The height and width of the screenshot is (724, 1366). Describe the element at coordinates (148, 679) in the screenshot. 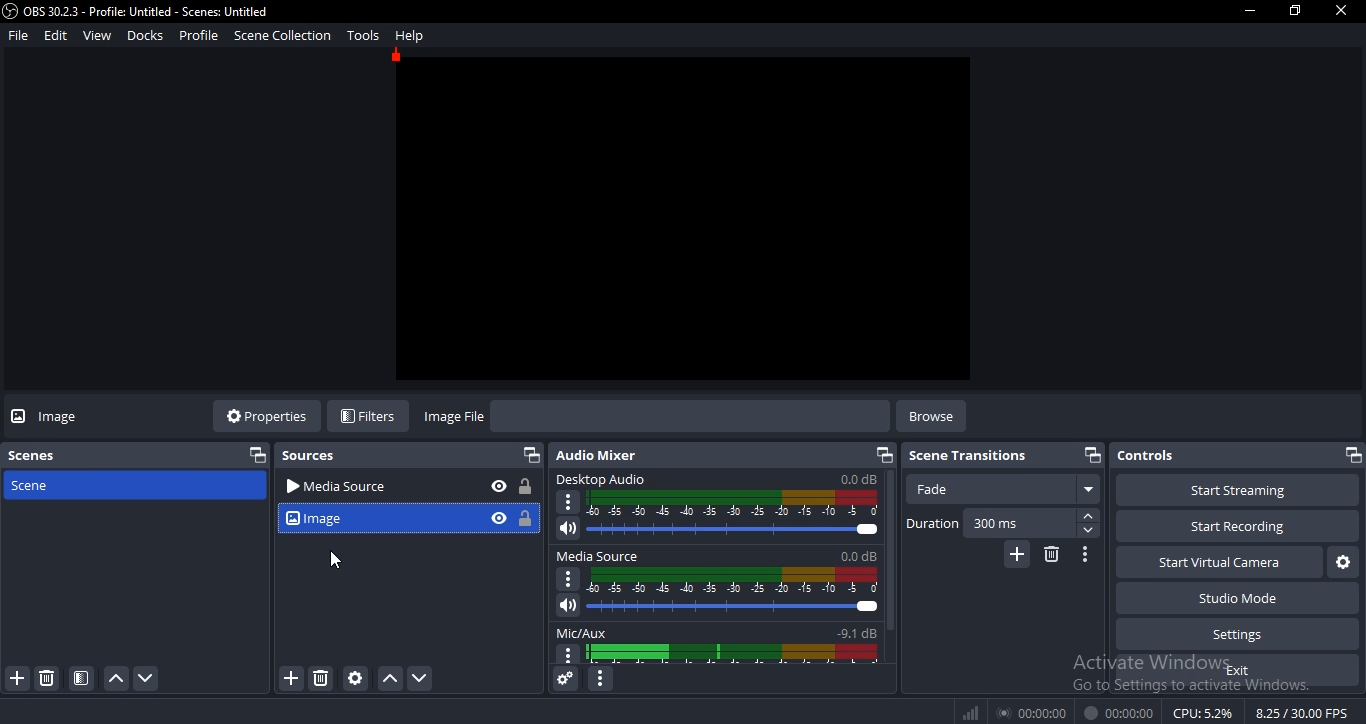

I see `move down` at that location.